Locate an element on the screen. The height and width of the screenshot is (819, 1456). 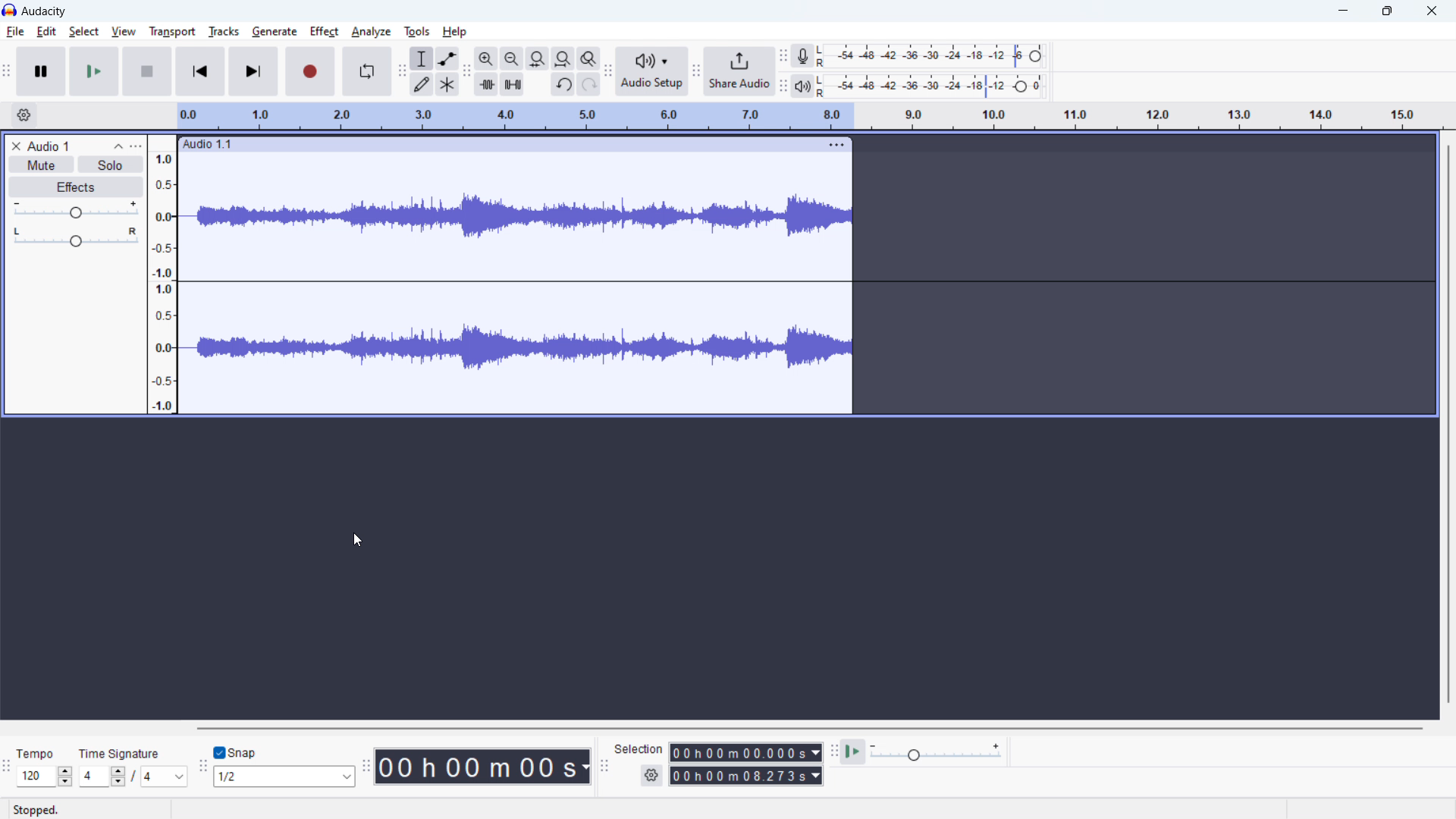
file is located at coordinates (14, 32).